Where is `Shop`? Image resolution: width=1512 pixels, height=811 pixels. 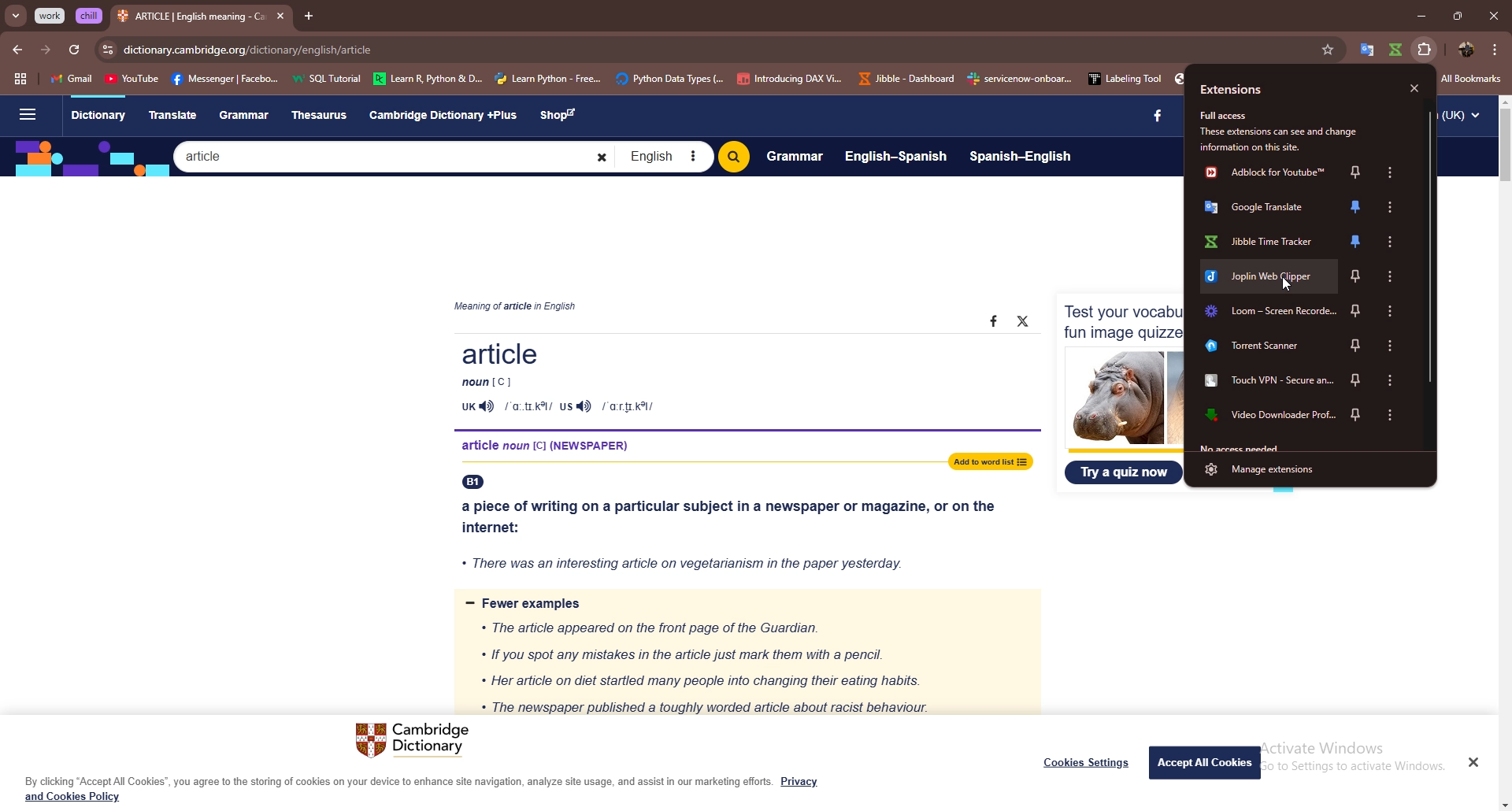 Shop is located at coordinates (562, 116).